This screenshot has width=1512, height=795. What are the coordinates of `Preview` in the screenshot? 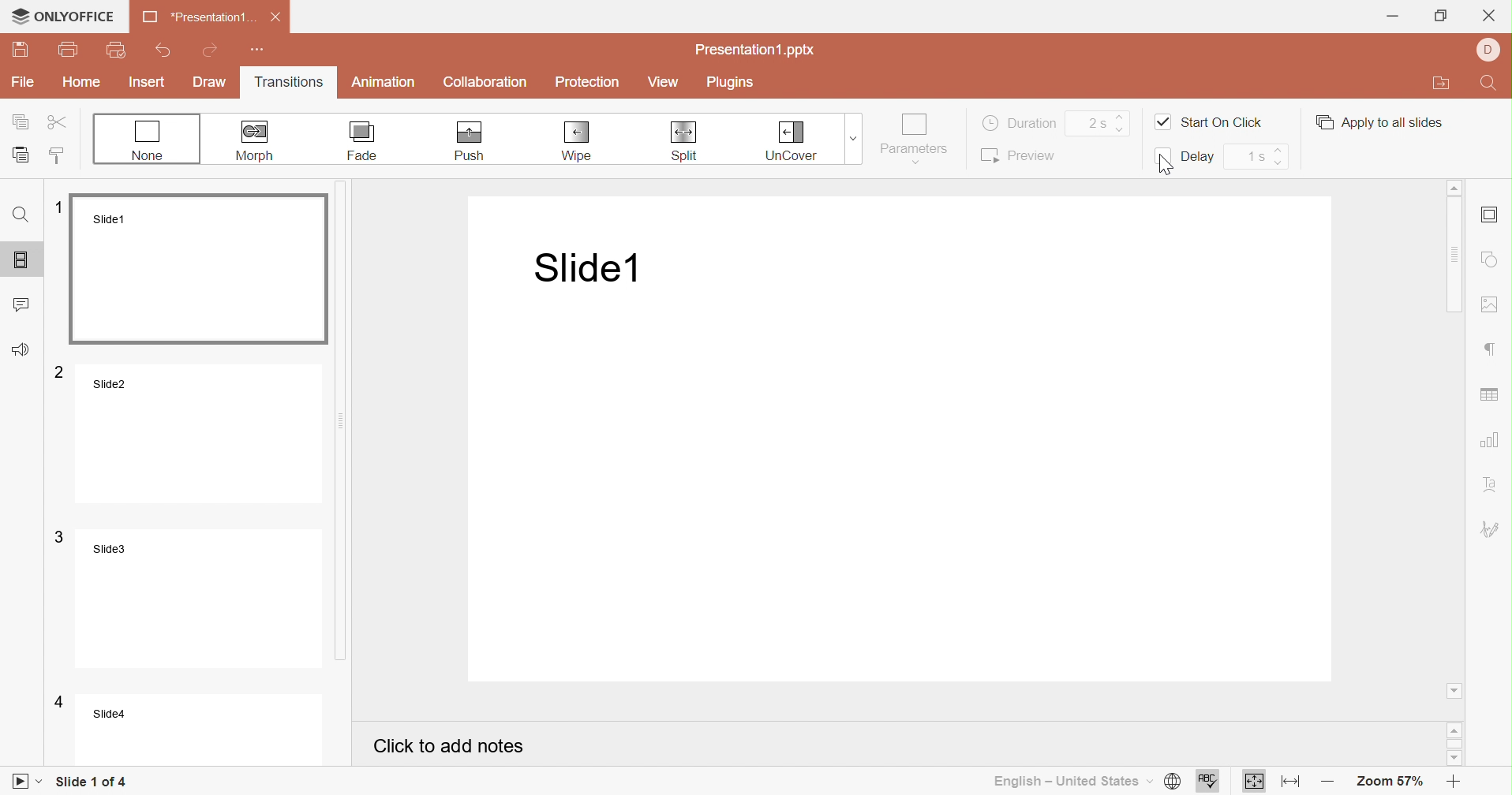 It's located at (1020, 154).